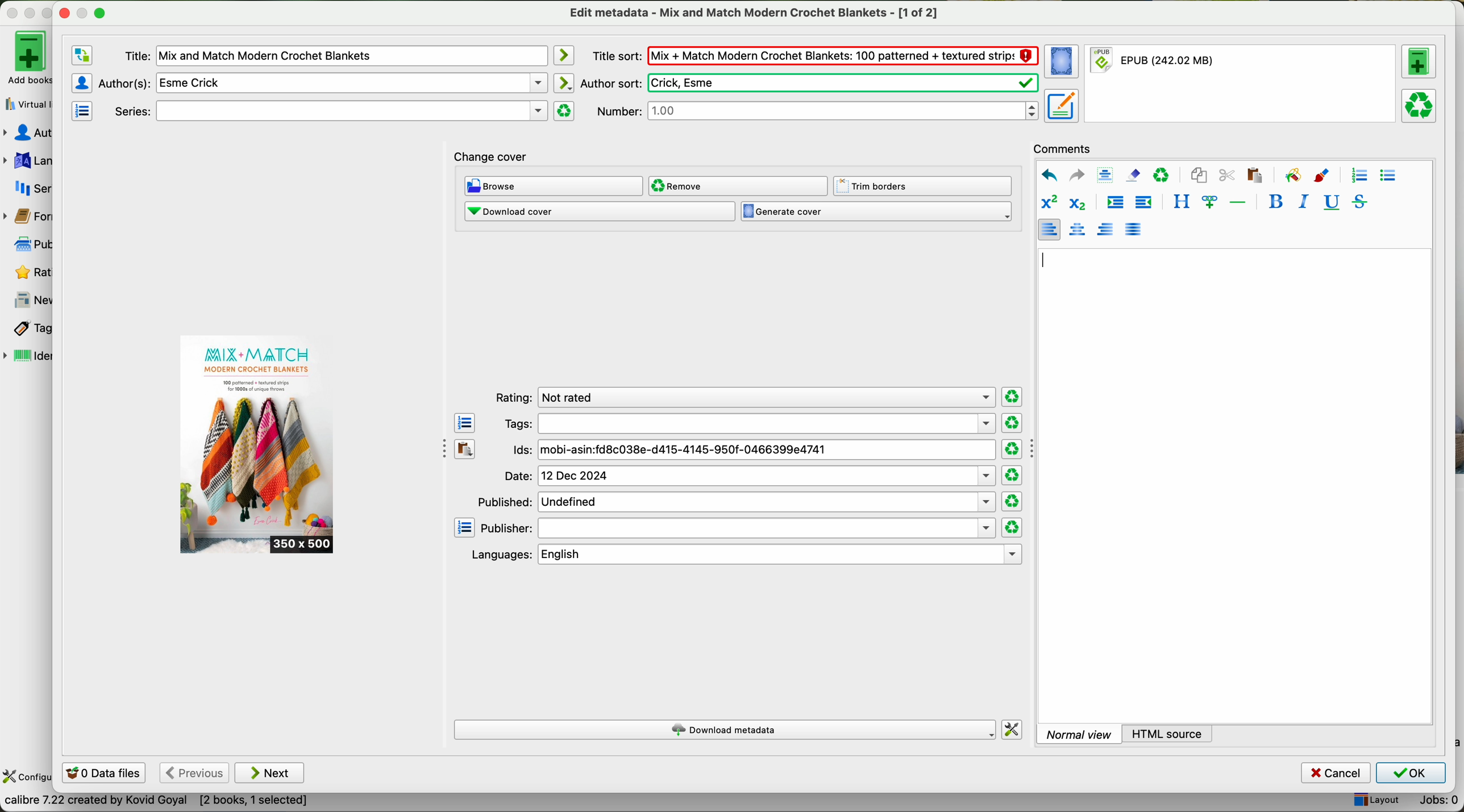 The image size is (1464, 812). I want to click on ordered list, so click(1358, 176).